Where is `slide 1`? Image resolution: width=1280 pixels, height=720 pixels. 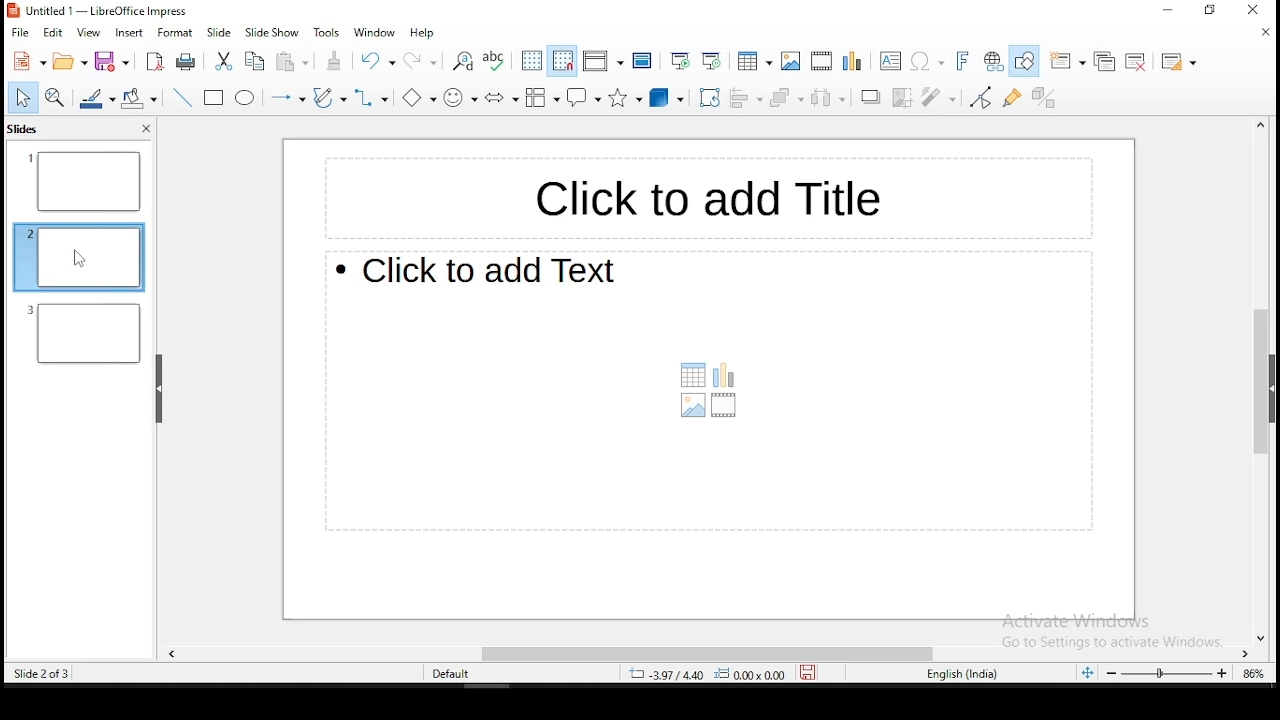 slide 1 is located at coordinates (84, 182).